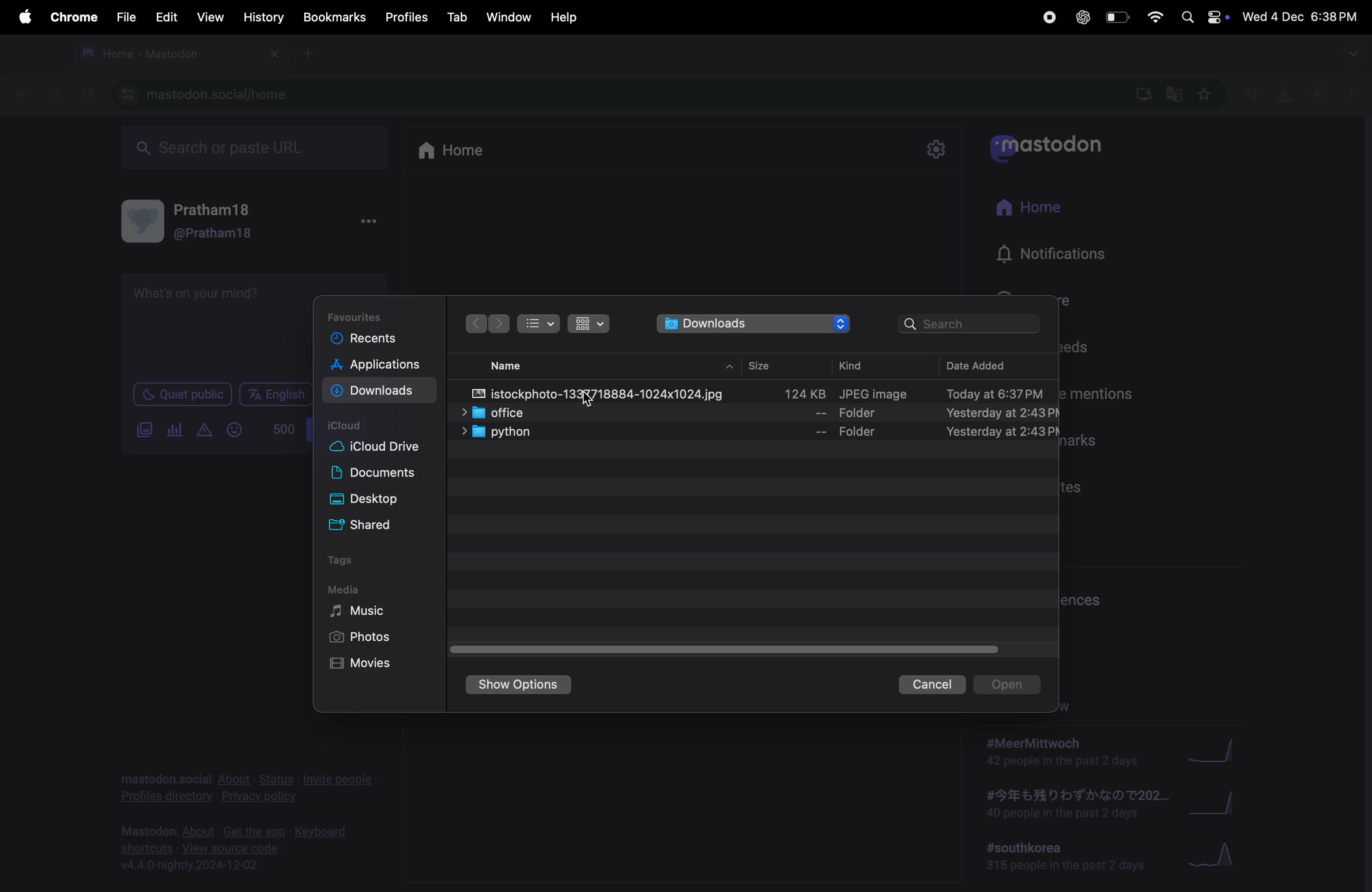  Describe the element at coordinates (408, 17) in the screenshot. I see `profiles` at that location.